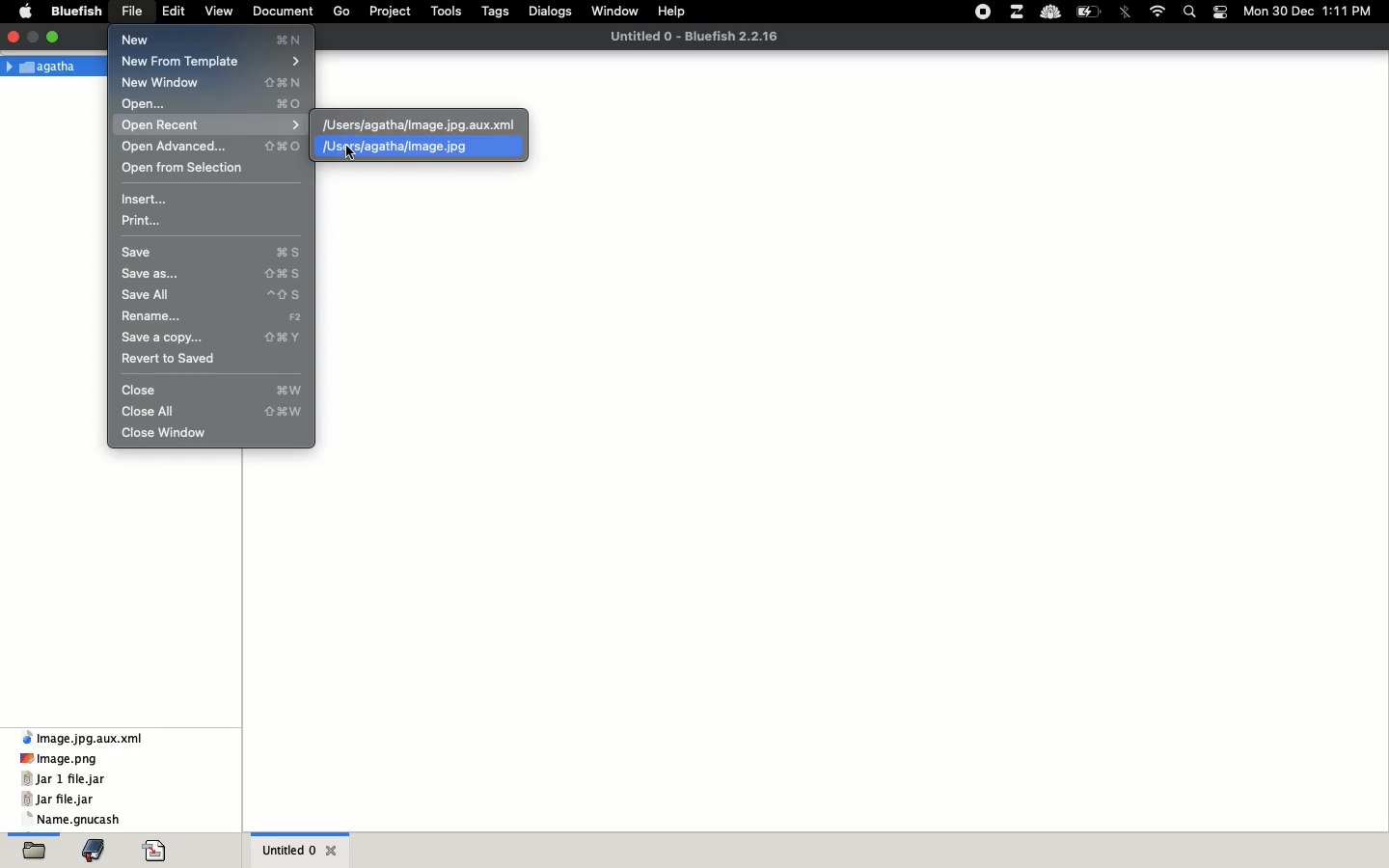 This screenshot has height=868, width=1389. Describe the element at coordinates (215, 412) in the screenshot. I see `close all    ^command W` at that location.